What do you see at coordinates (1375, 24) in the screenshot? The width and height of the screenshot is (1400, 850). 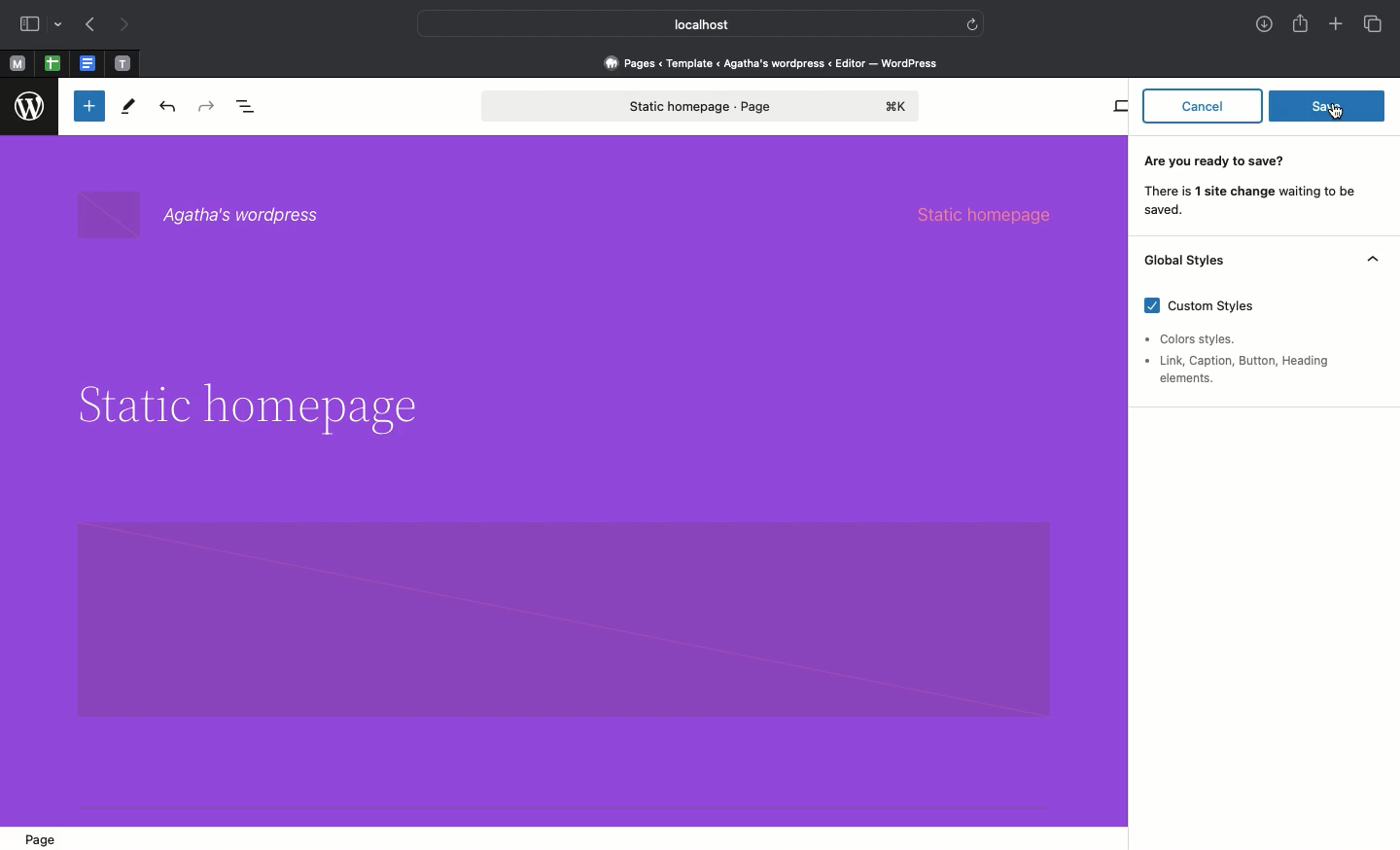 I see `Tabs` at bounding box center [1375, 24].